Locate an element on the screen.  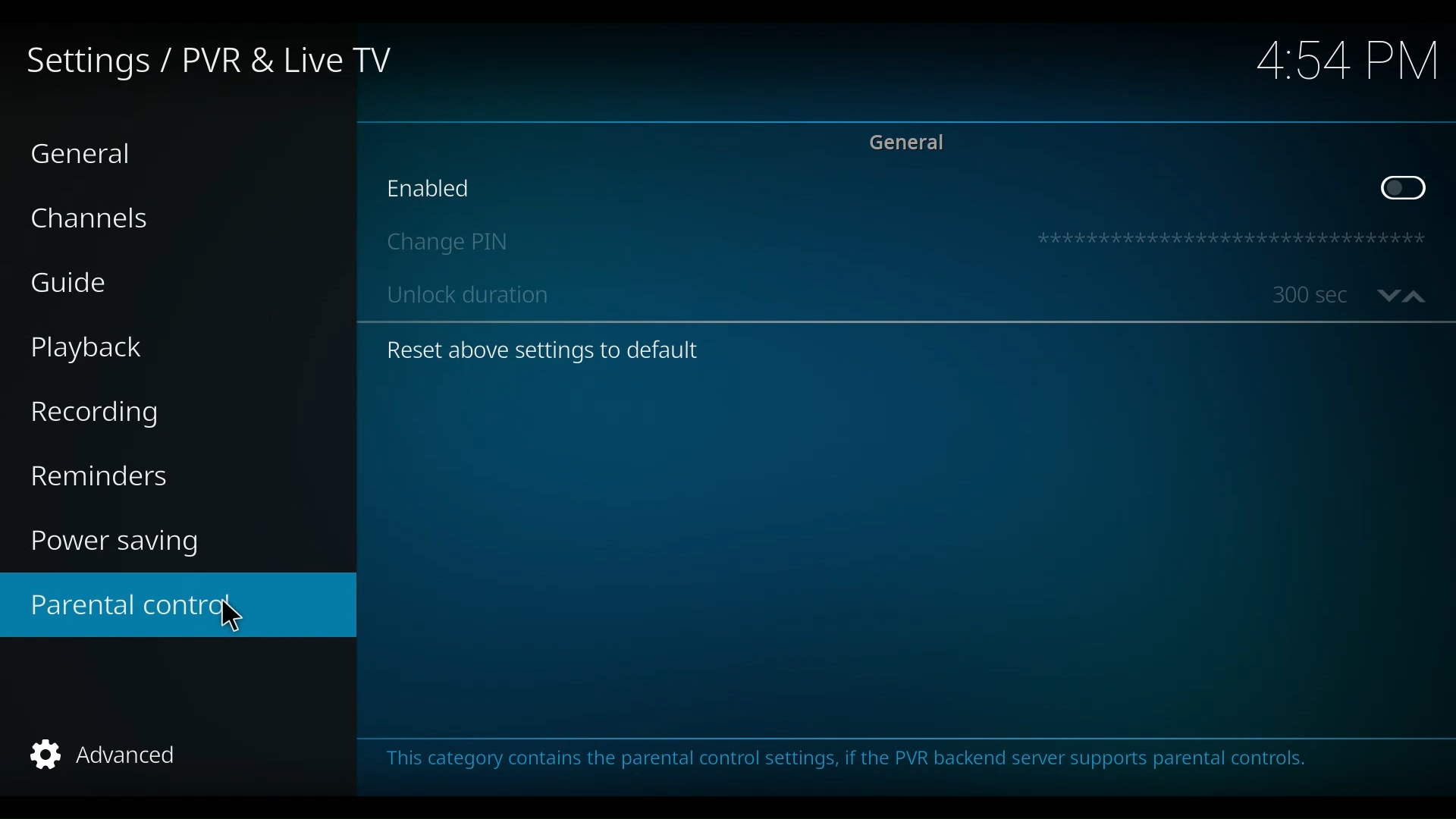
Guide is located at coordinates (72, 282).